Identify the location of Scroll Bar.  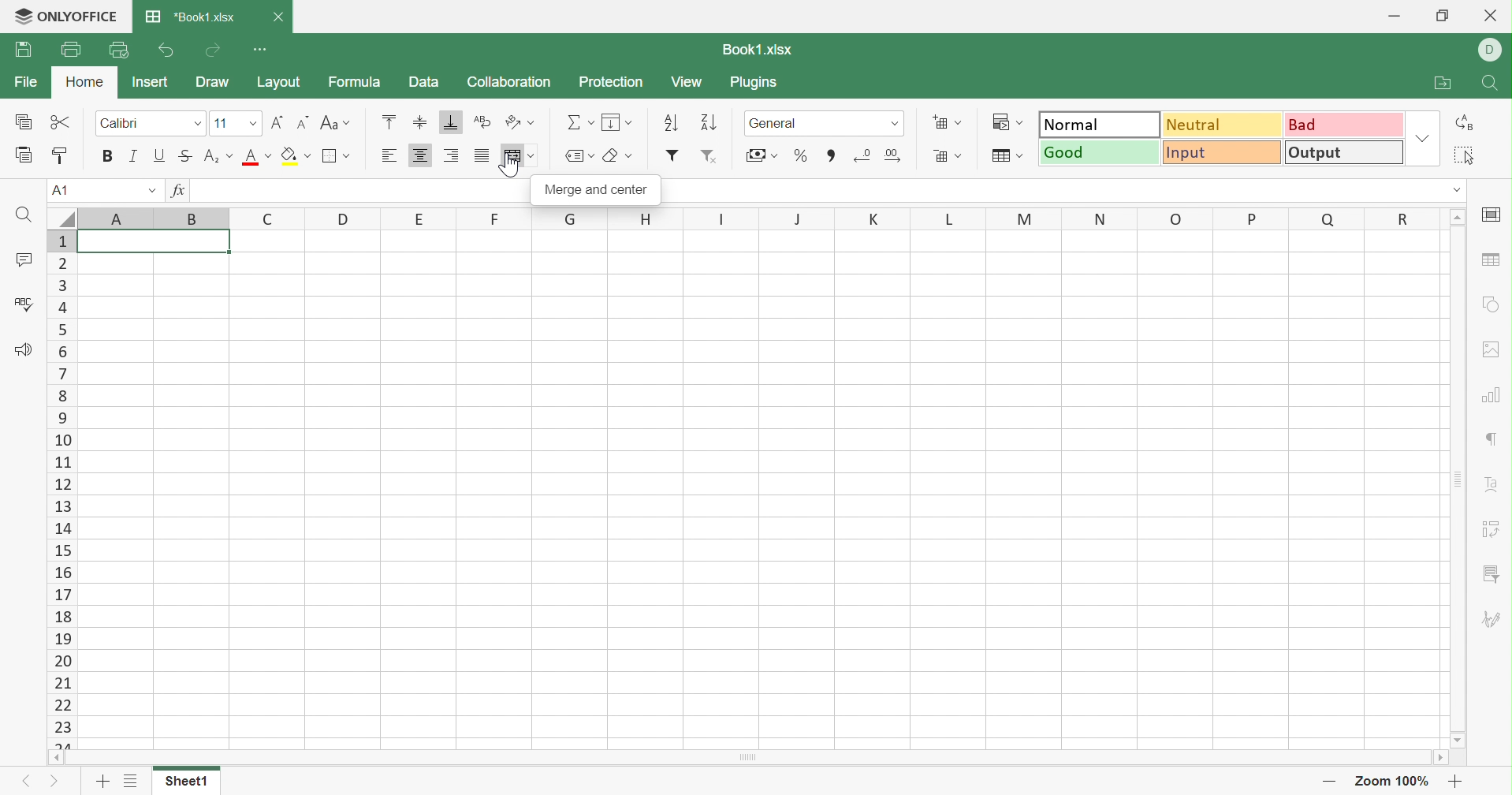
(746, 760).